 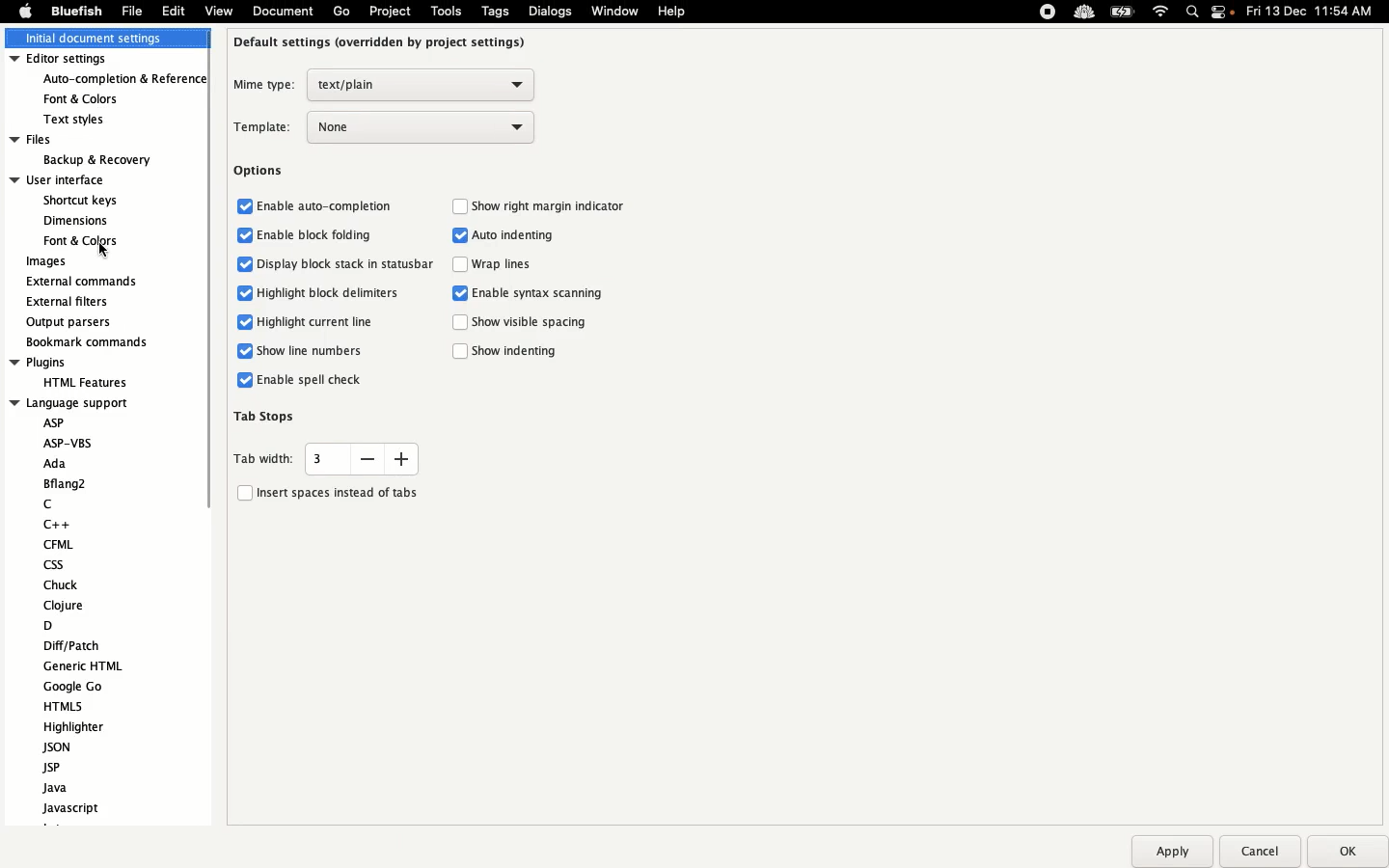 I want to click on Dialogs, so click(x=550, y=11).